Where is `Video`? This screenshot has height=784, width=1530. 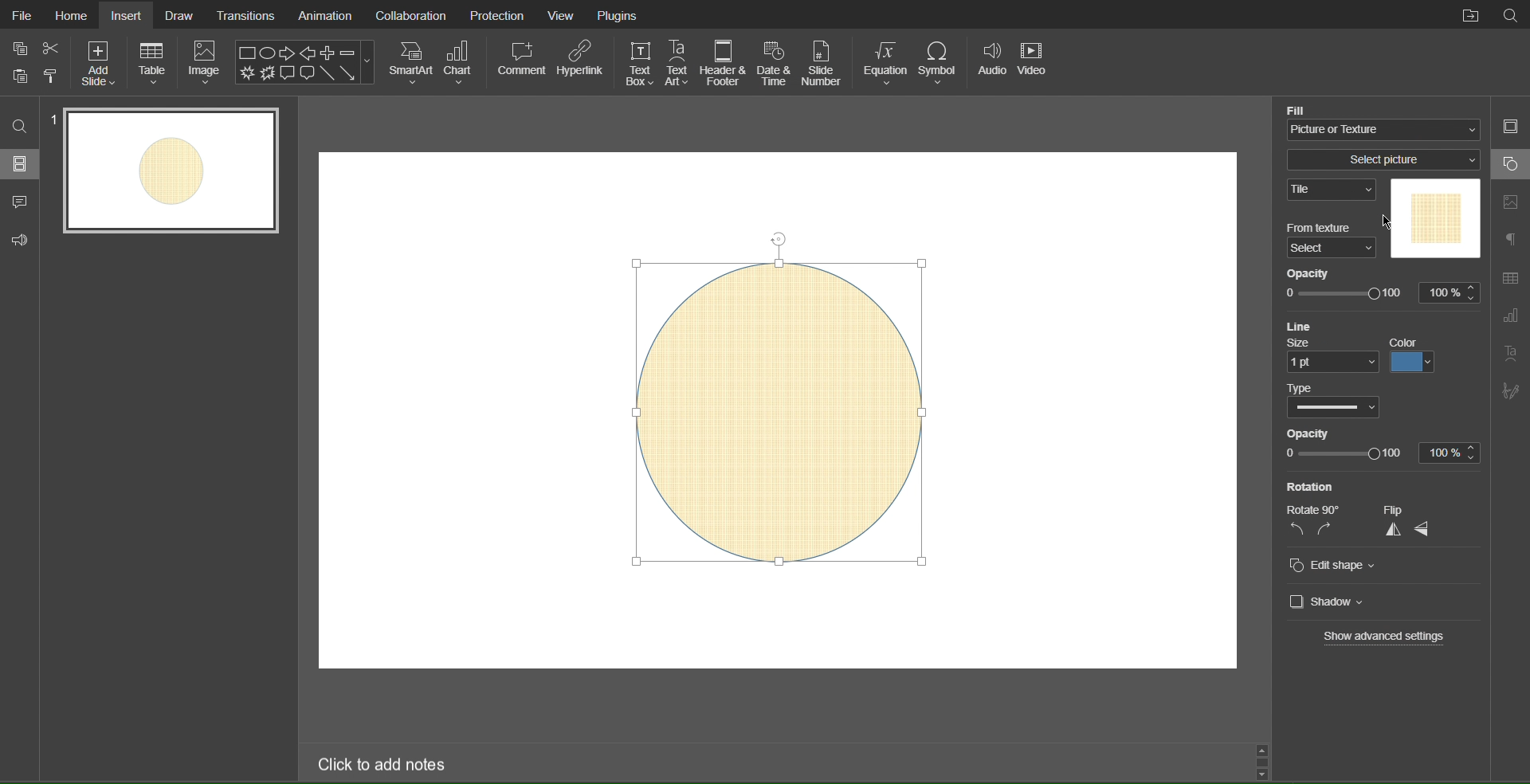
Video is located at coordinates (1037, 65).